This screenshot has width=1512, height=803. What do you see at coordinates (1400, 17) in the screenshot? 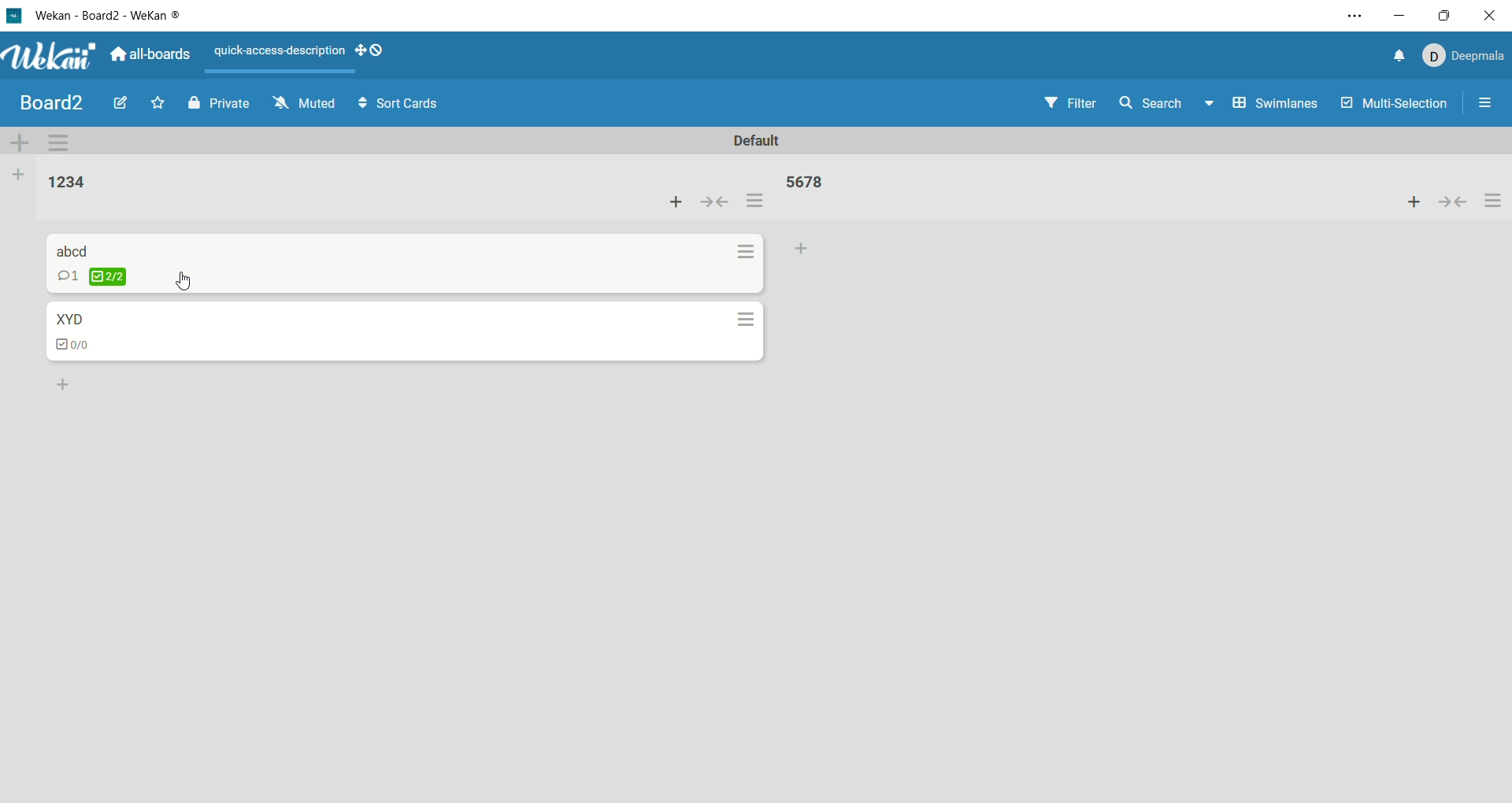
I see `minimize` at bounding box center [1400, 17].